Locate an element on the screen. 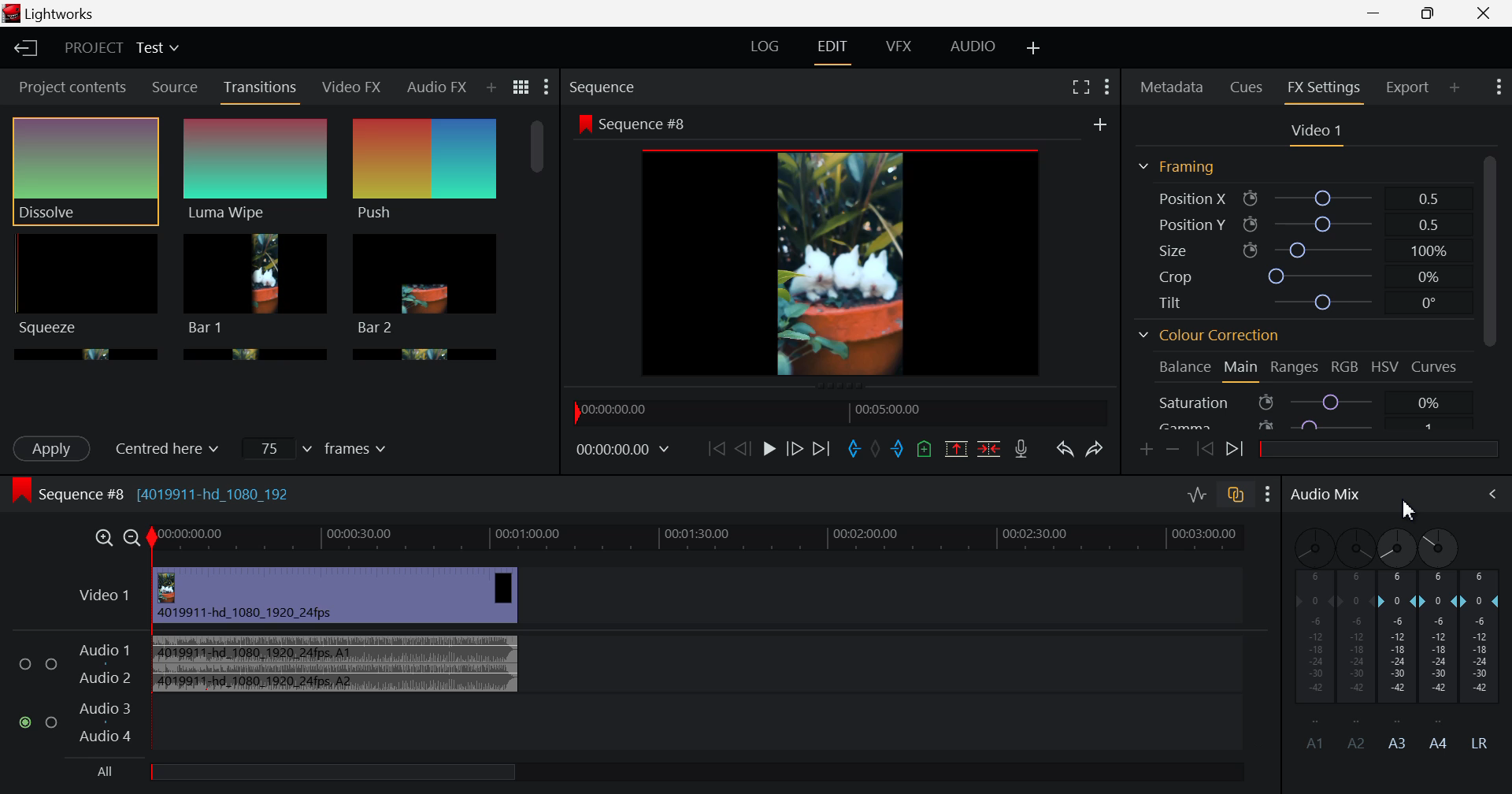 The image size is (1512, 794). Timeline Navigator is located at coordinates (841, 412).